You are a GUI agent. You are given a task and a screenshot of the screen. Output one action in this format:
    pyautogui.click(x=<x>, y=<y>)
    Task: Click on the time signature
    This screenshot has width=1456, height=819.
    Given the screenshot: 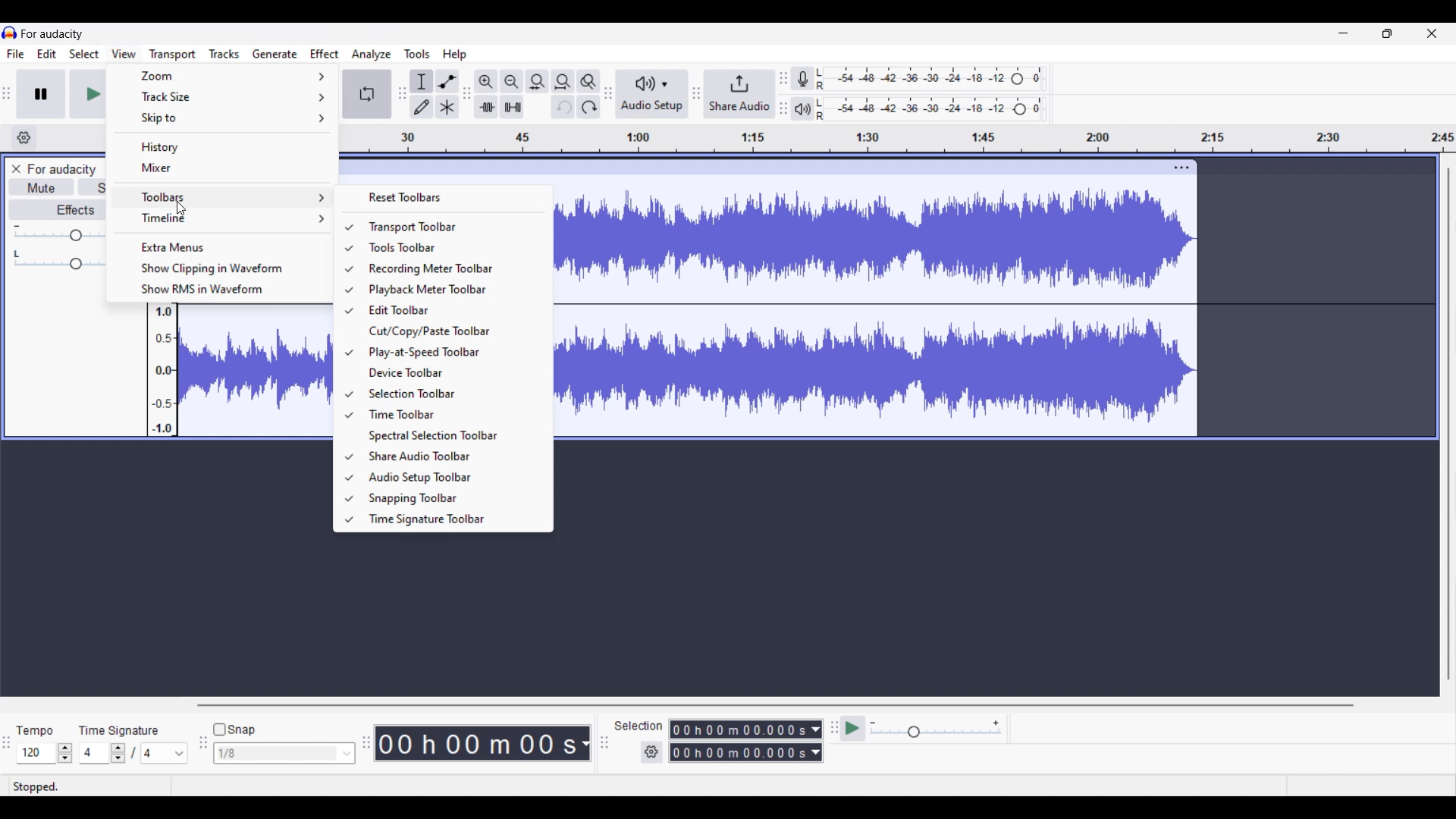 What is the action you would take?
    pyautogui.click(x=120, y=731)
    